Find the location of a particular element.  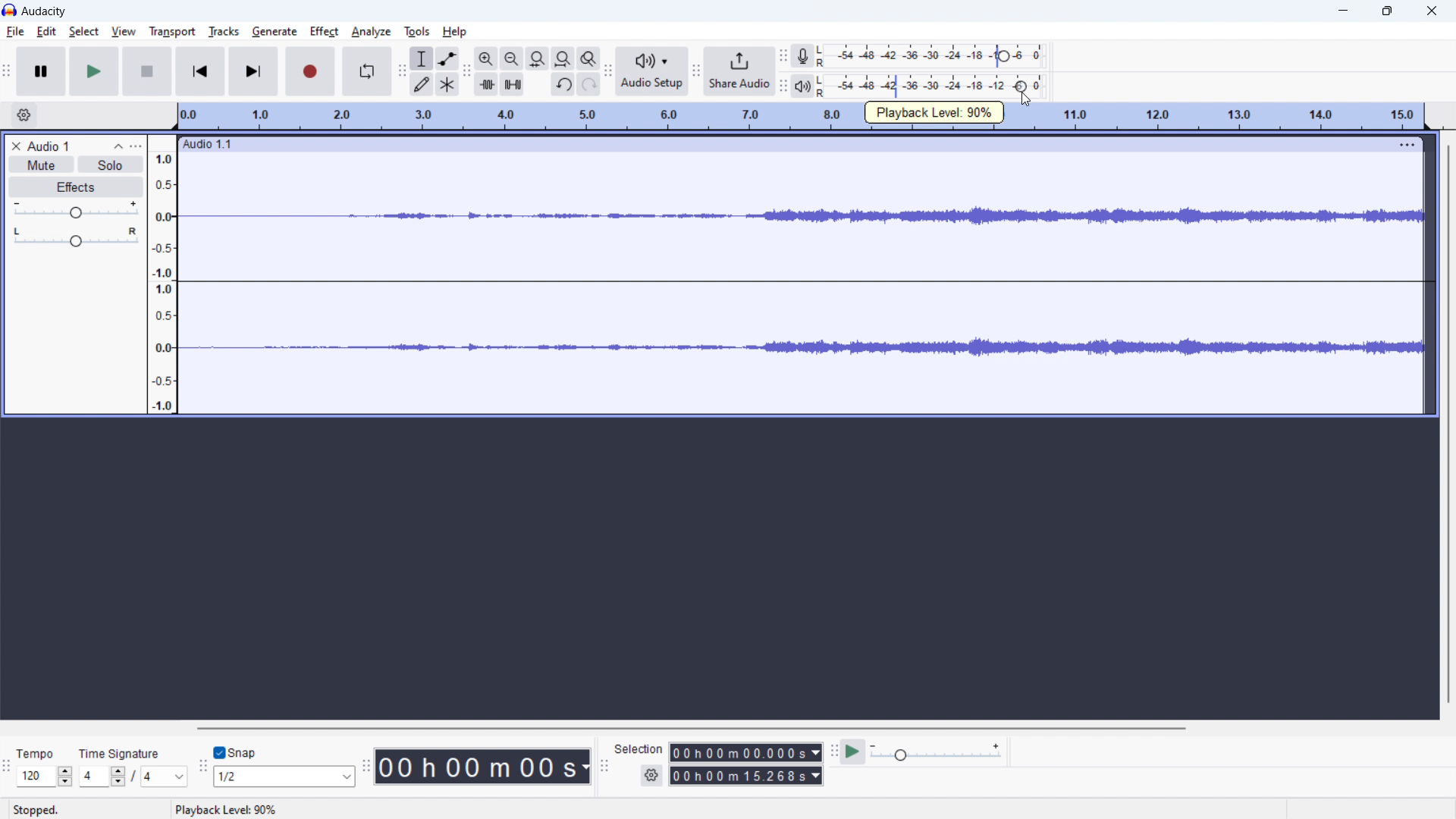

maximize is located at coordinates (1387, 11).